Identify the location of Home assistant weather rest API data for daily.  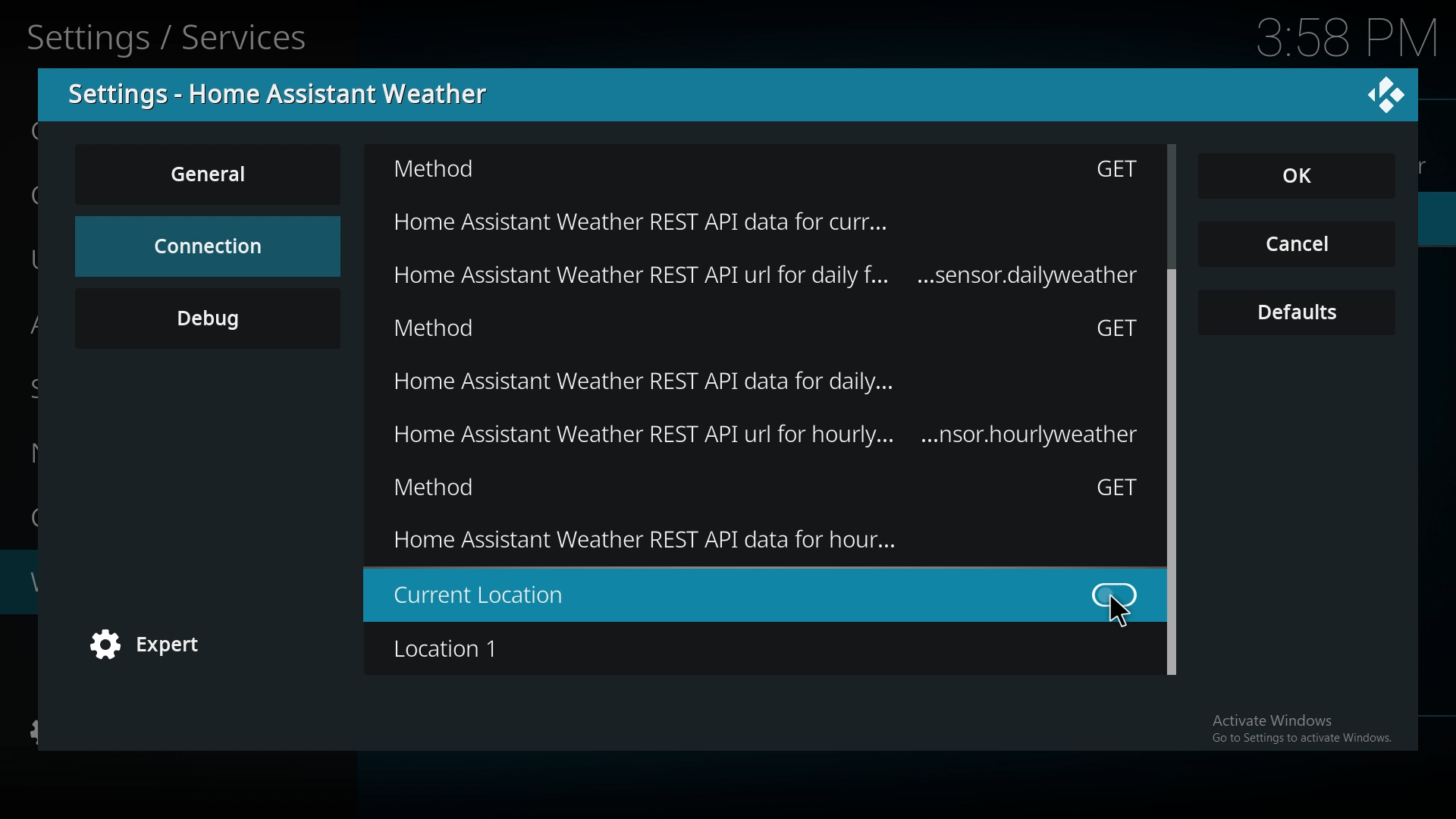
(804, 279).